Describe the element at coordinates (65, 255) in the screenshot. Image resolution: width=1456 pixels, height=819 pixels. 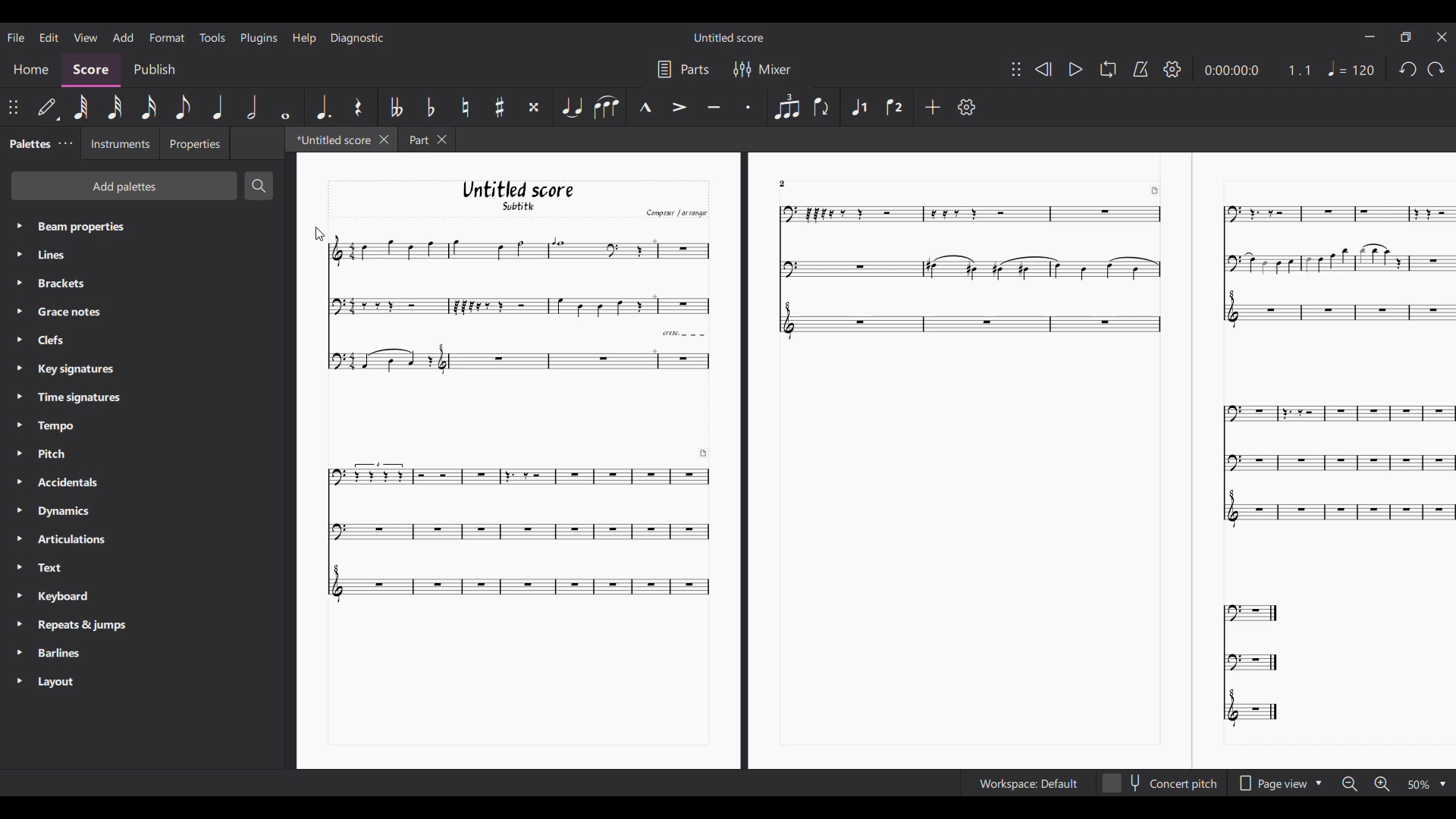
I see `Line` at that location.